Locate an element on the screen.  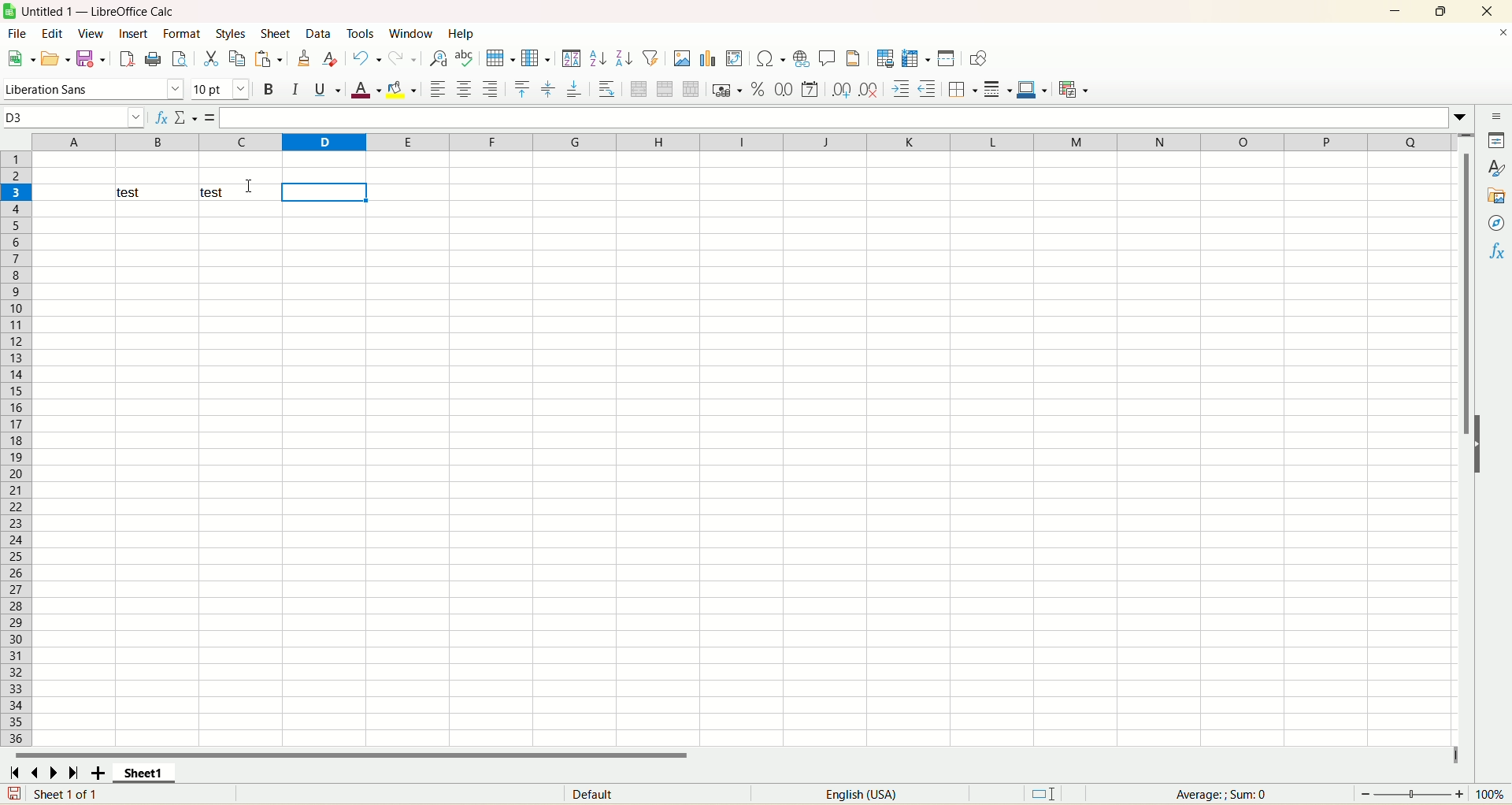
sheet is located at coordinates (276, 33).